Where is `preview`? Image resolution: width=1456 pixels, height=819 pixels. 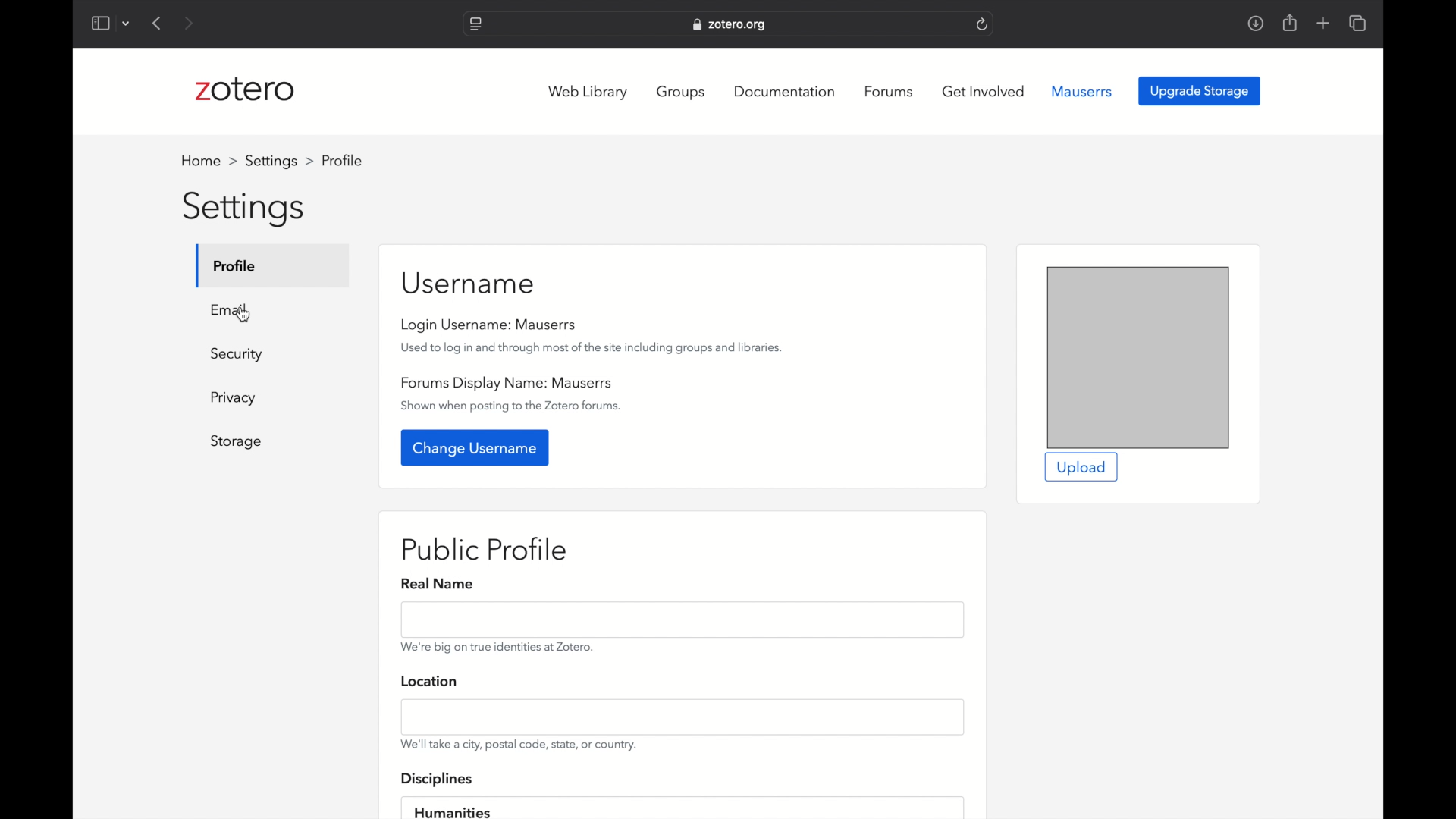 preview is located at coordinates (1138, 358).